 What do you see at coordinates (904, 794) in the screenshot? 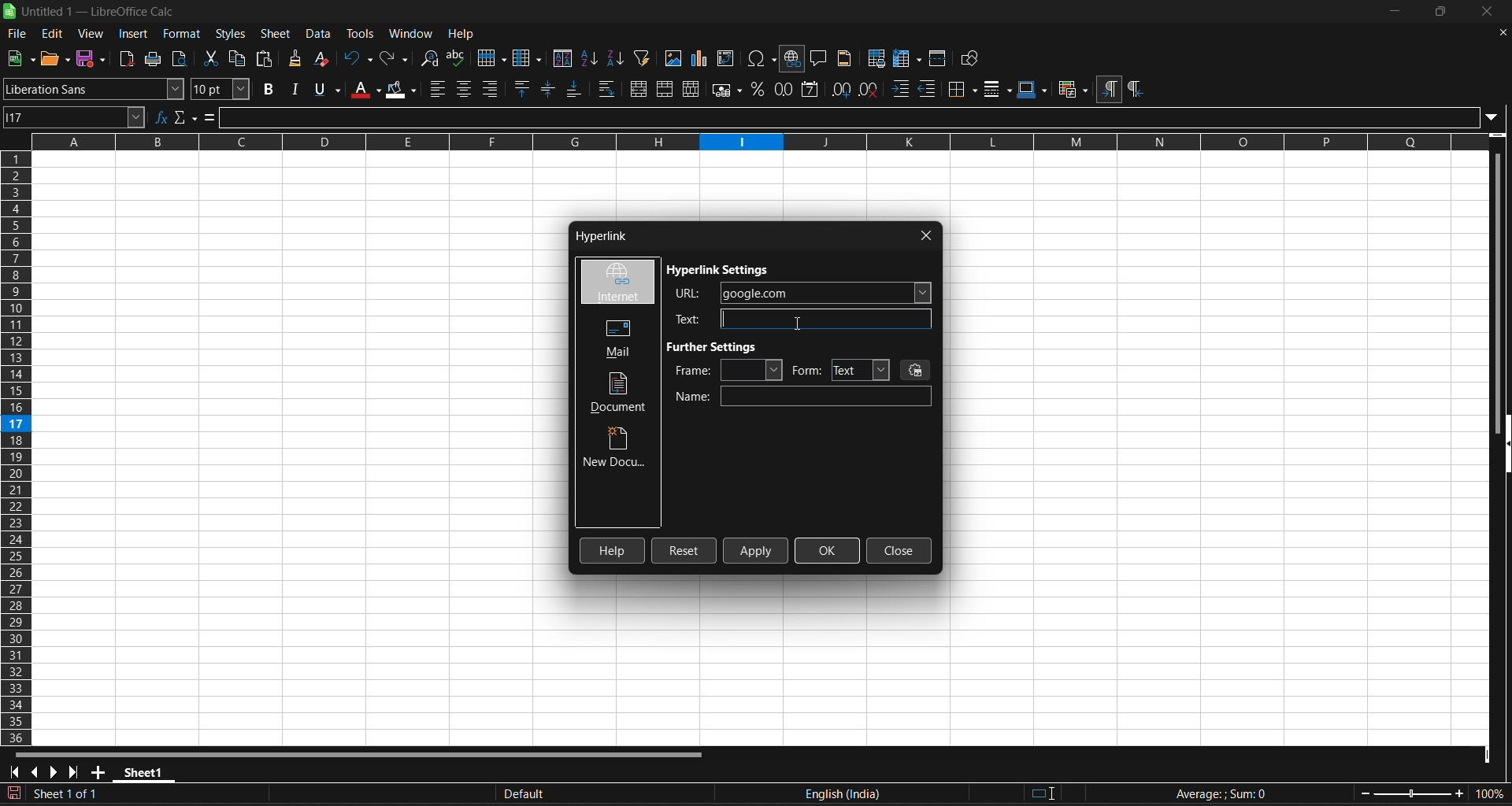
I see `text language ` at bounding box center [904, 794].